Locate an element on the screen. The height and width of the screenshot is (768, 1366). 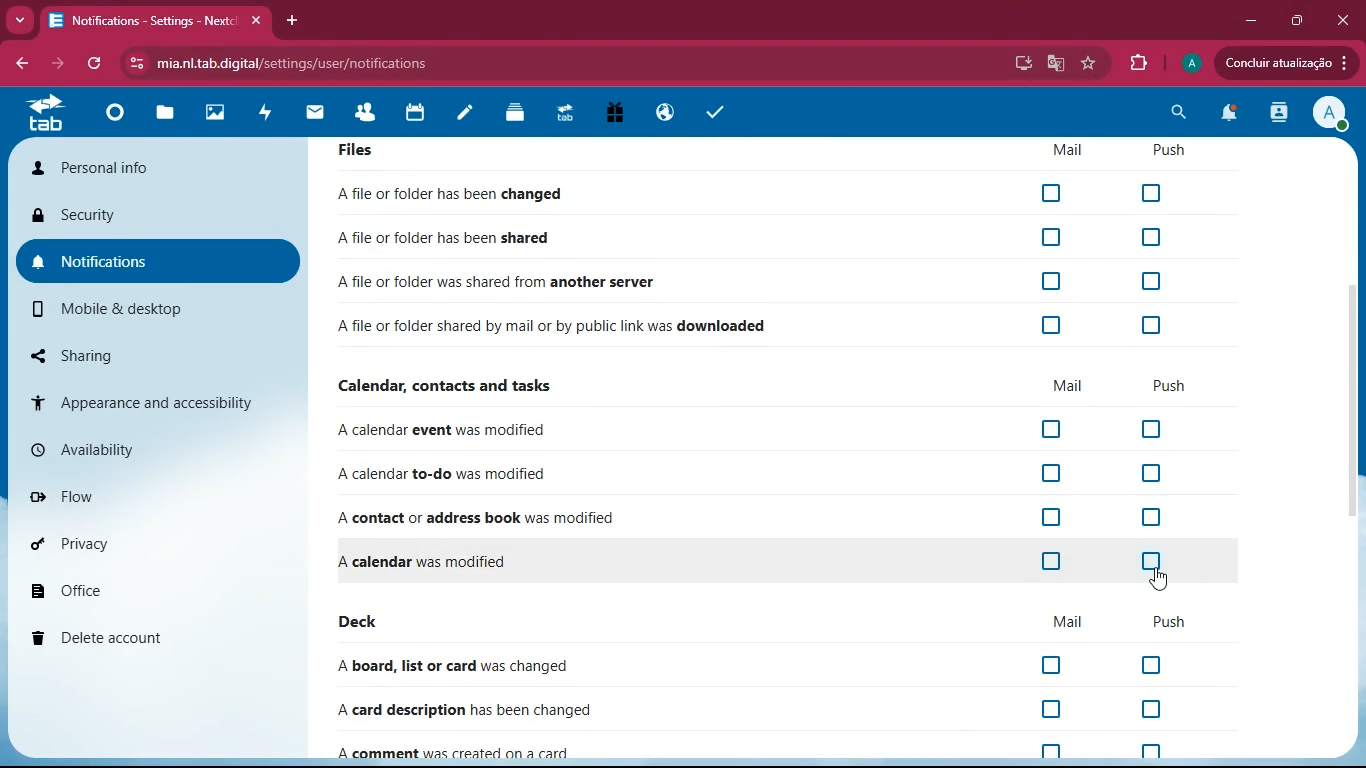
refresh is located at coordinates (98, 64).